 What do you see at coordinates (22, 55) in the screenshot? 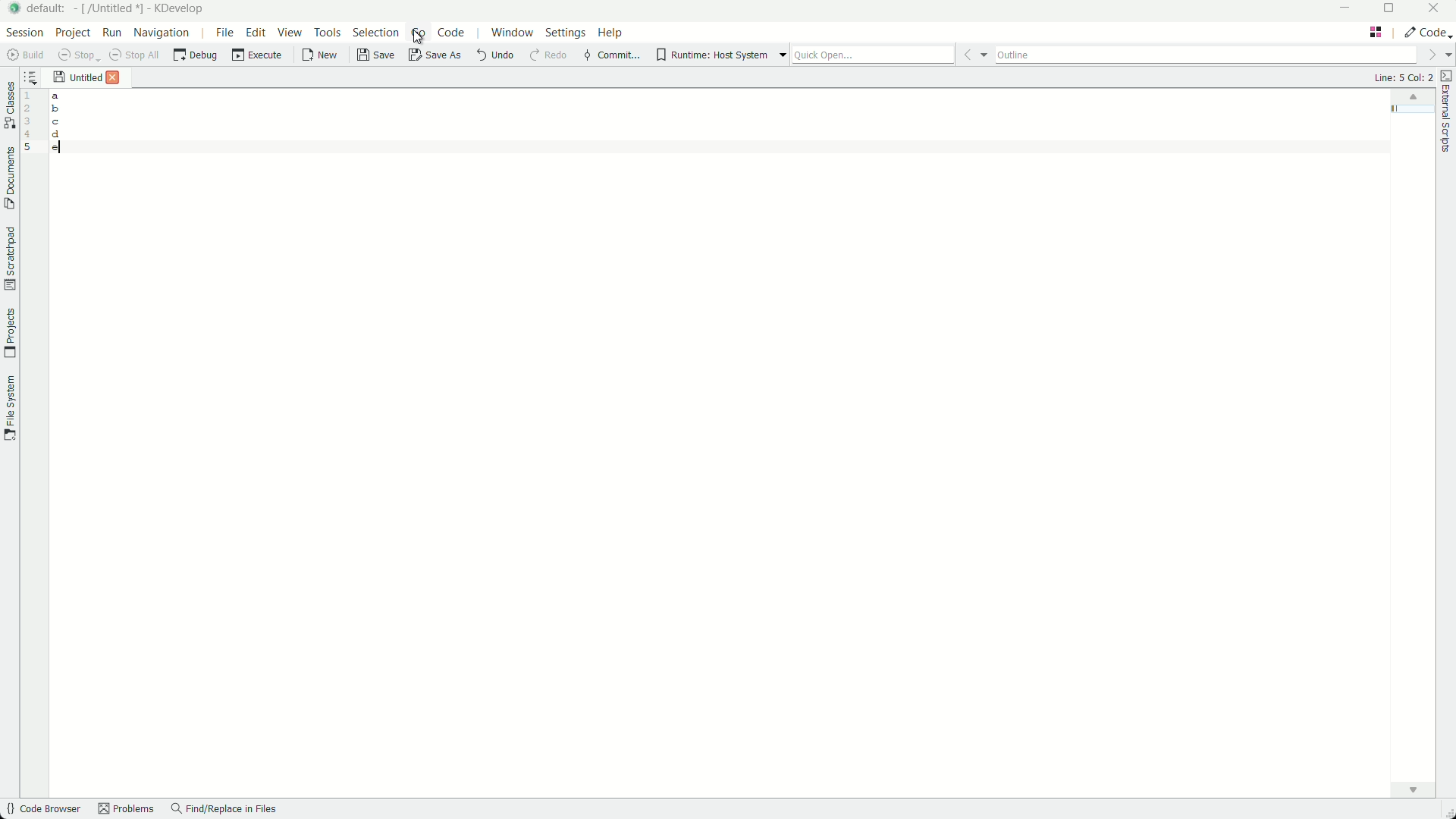
I see `build` at bounding box center [22, 55].